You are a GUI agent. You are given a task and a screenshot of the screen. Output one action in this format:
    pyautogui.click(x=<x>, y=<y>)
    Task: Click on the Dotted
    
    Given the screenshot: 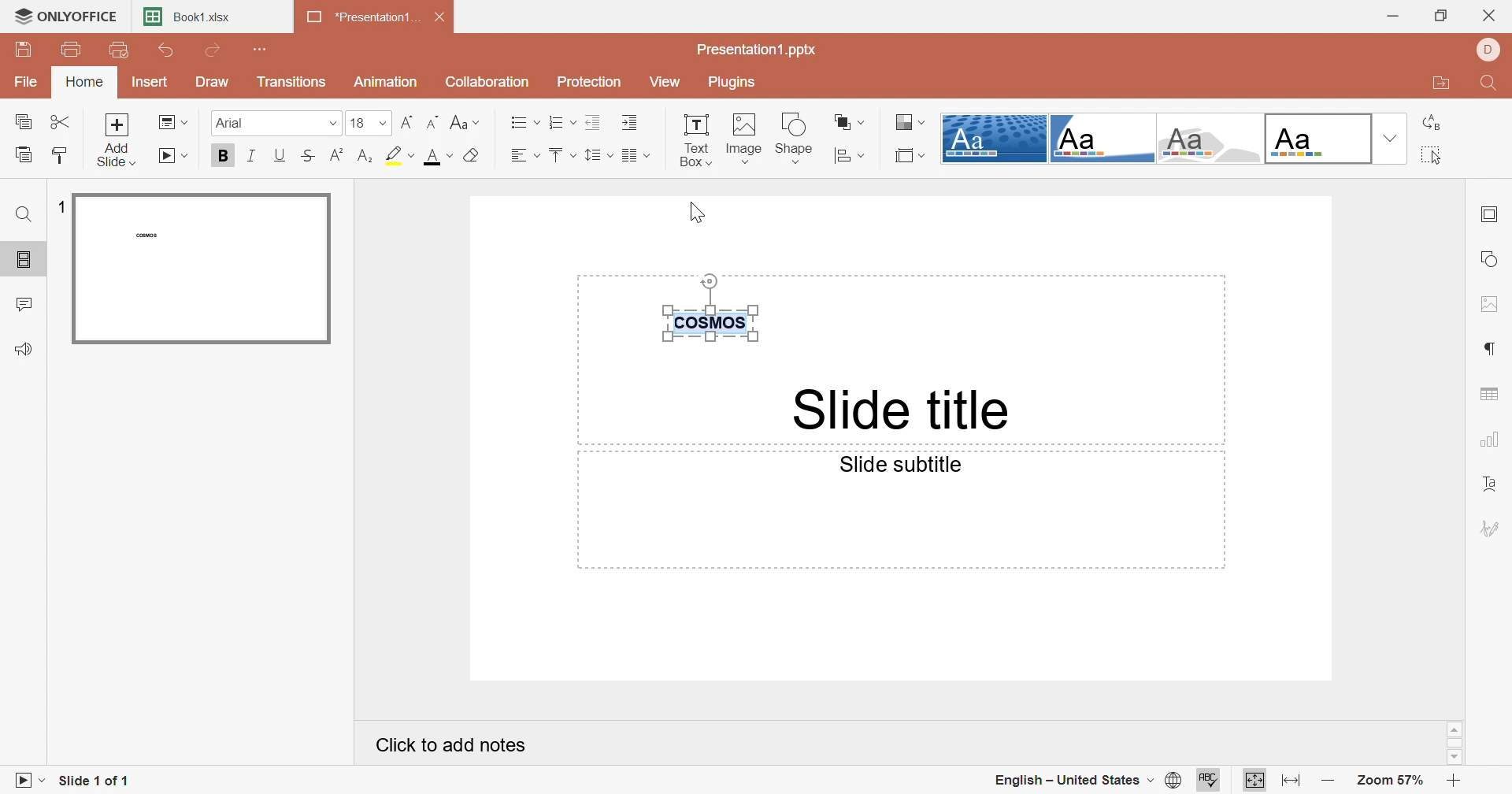 What is the action you would take?
    pyautogui.click(x=993, y=138)
    